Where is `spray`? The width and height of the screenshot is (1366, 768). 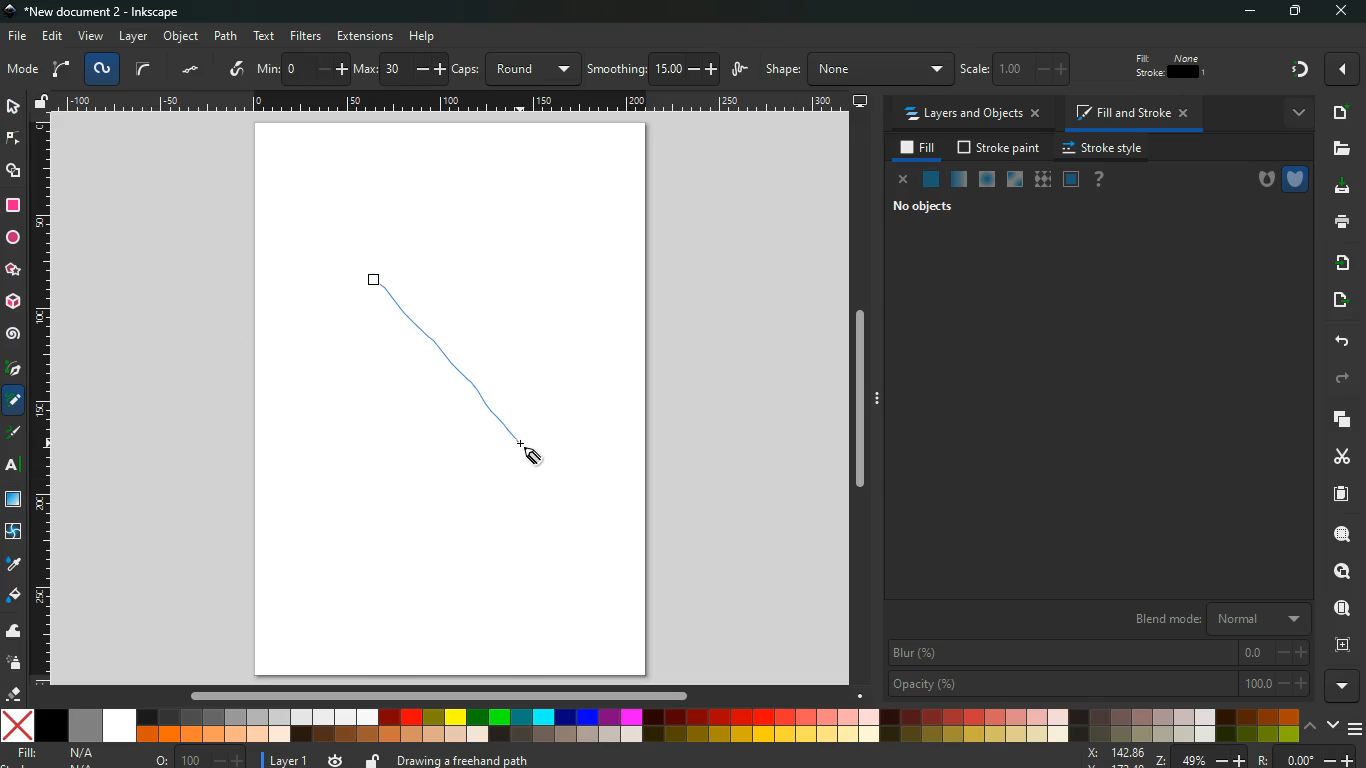
spray is located at coordinates (15, 664).